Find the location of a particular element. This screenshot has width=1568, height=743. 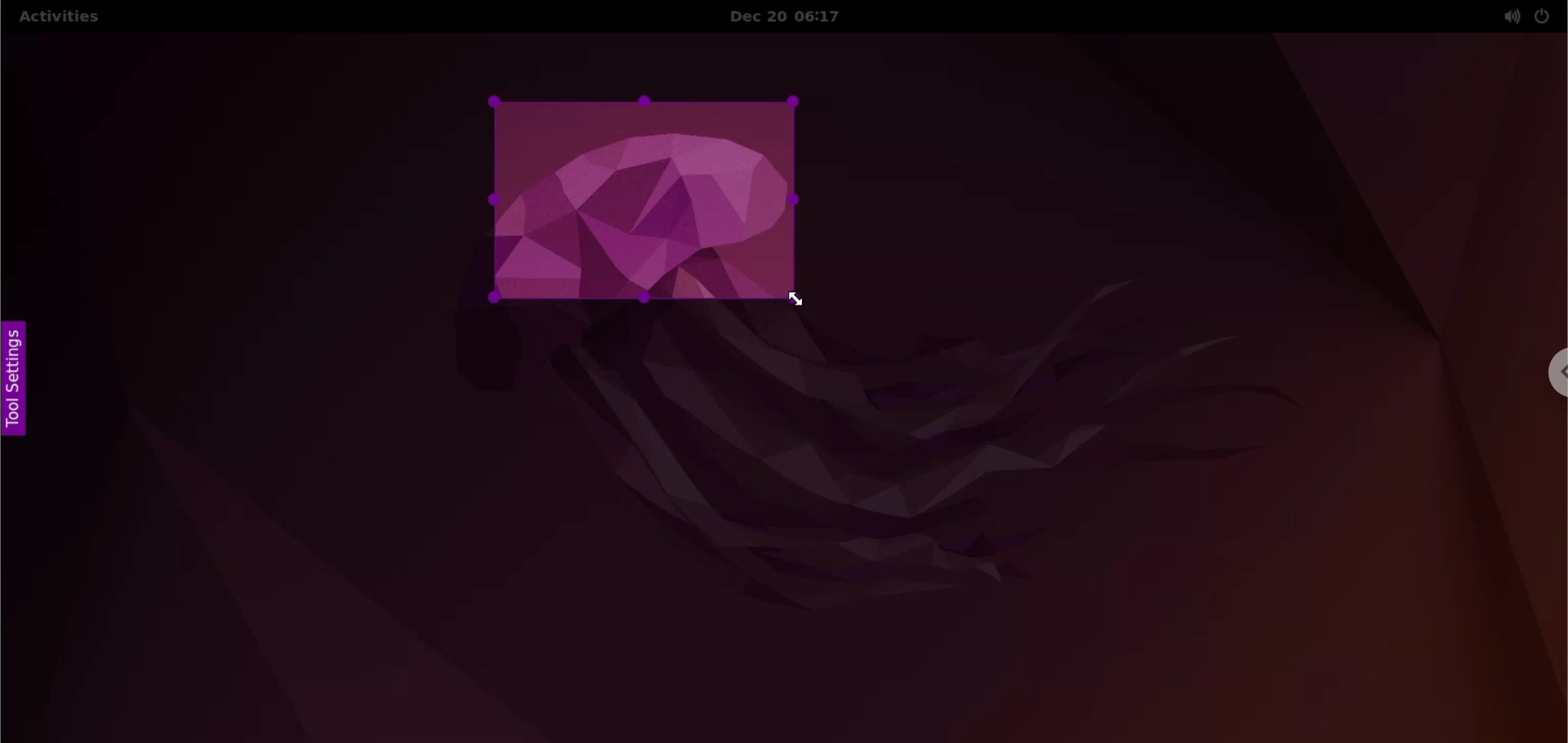

chrome options is located at coordinates (1554, 372).